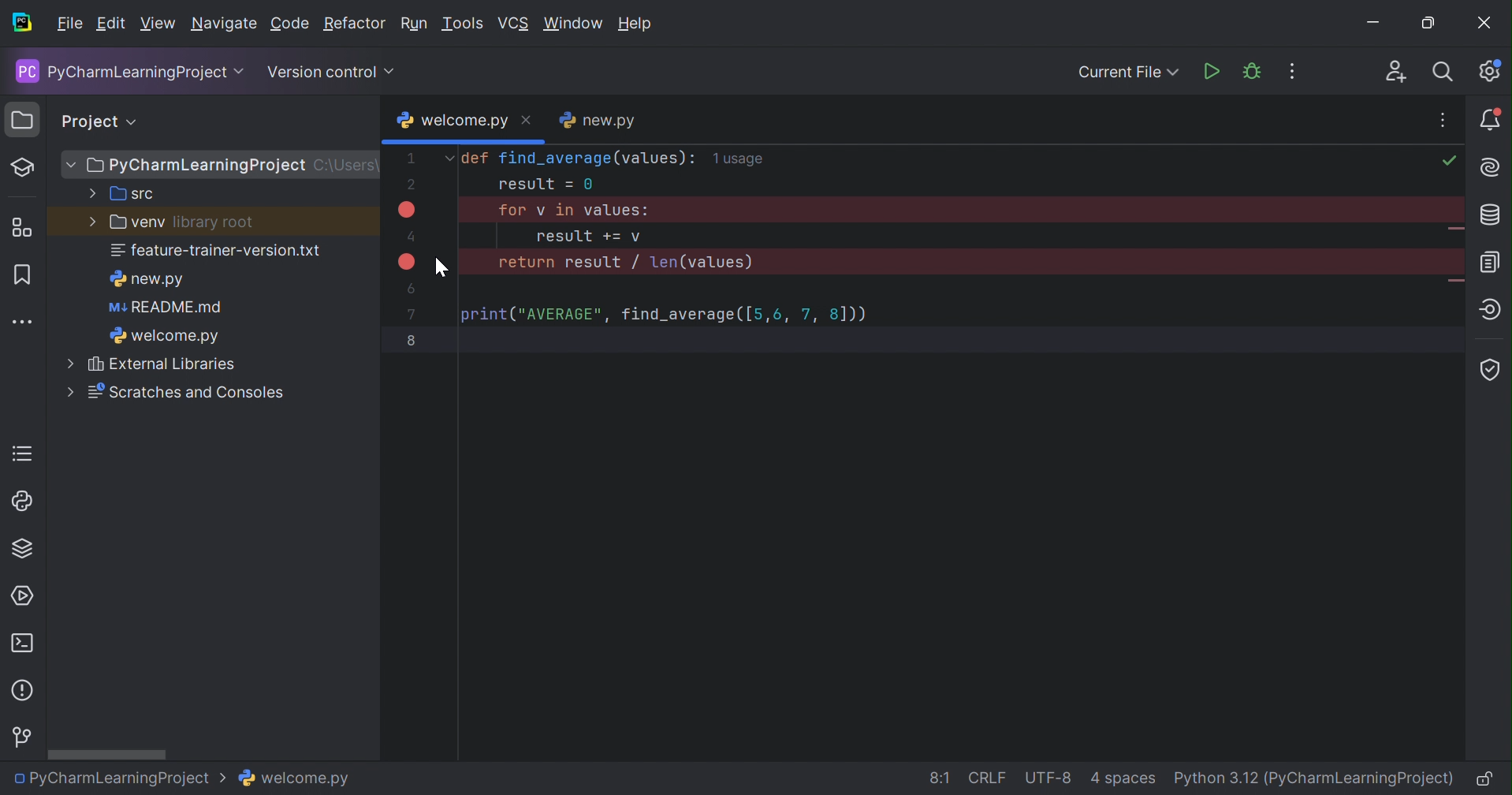 Image resolution: width=1512 pixels, height=795 pixels. Describe the element at coordinates (19, 118) in the screenshot. I see `Project icon` at that location.